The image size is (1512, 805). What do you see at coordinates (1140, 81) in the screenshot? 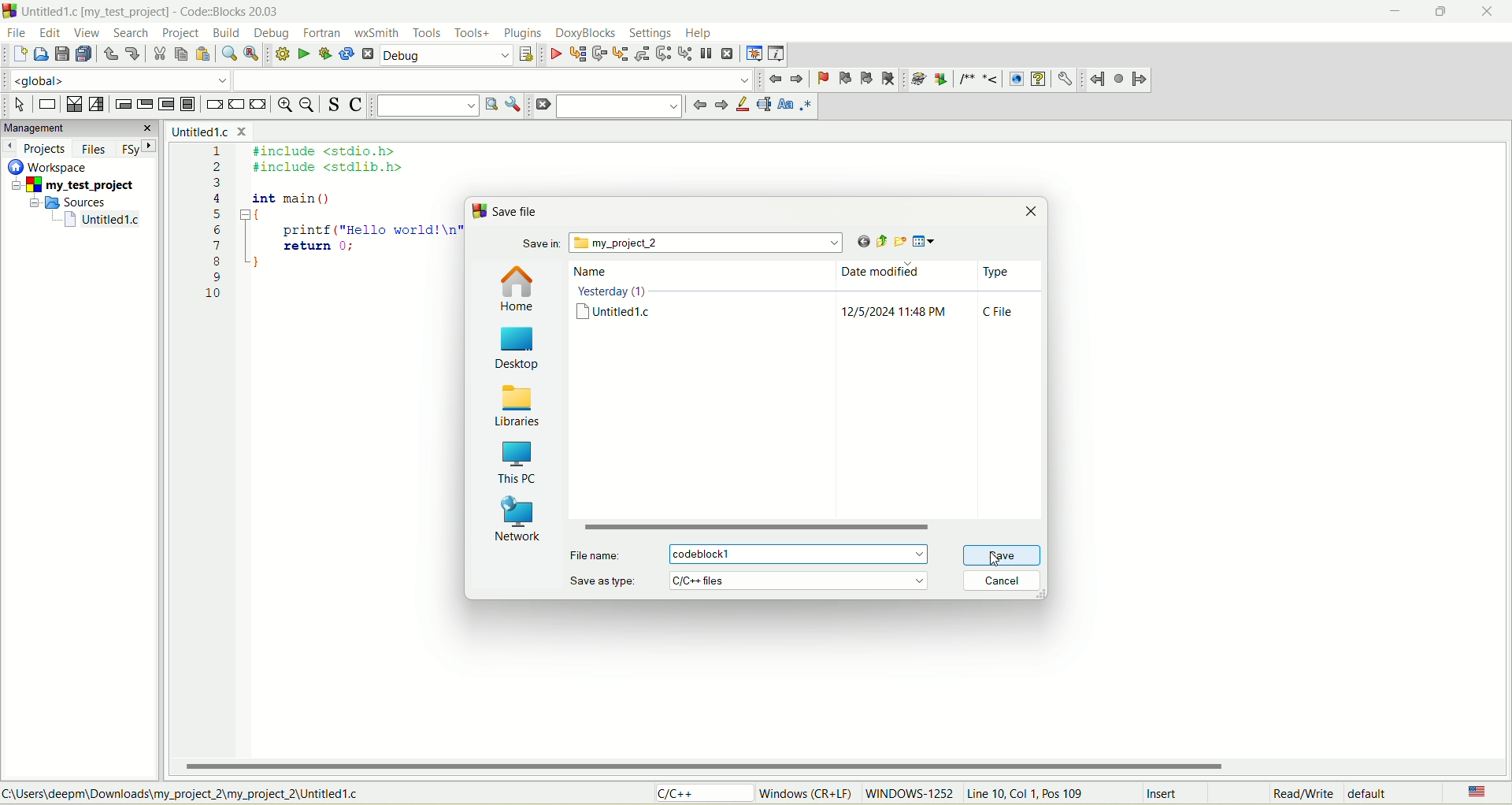
I see `jump forward` at bounding box center [1140, 81].